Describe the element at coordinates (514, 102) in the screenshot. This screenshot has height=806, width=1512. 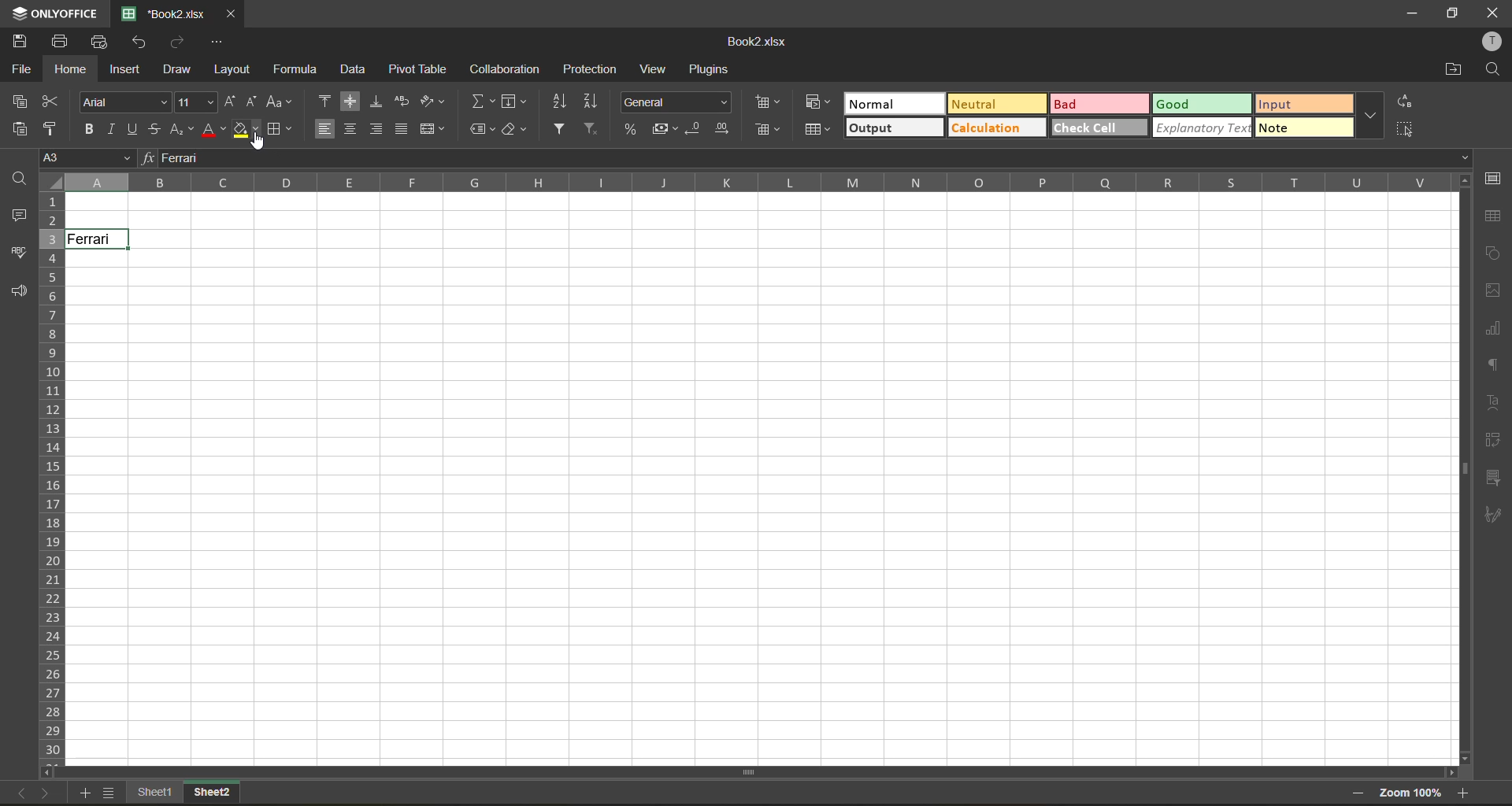
I see `fields` at that location.